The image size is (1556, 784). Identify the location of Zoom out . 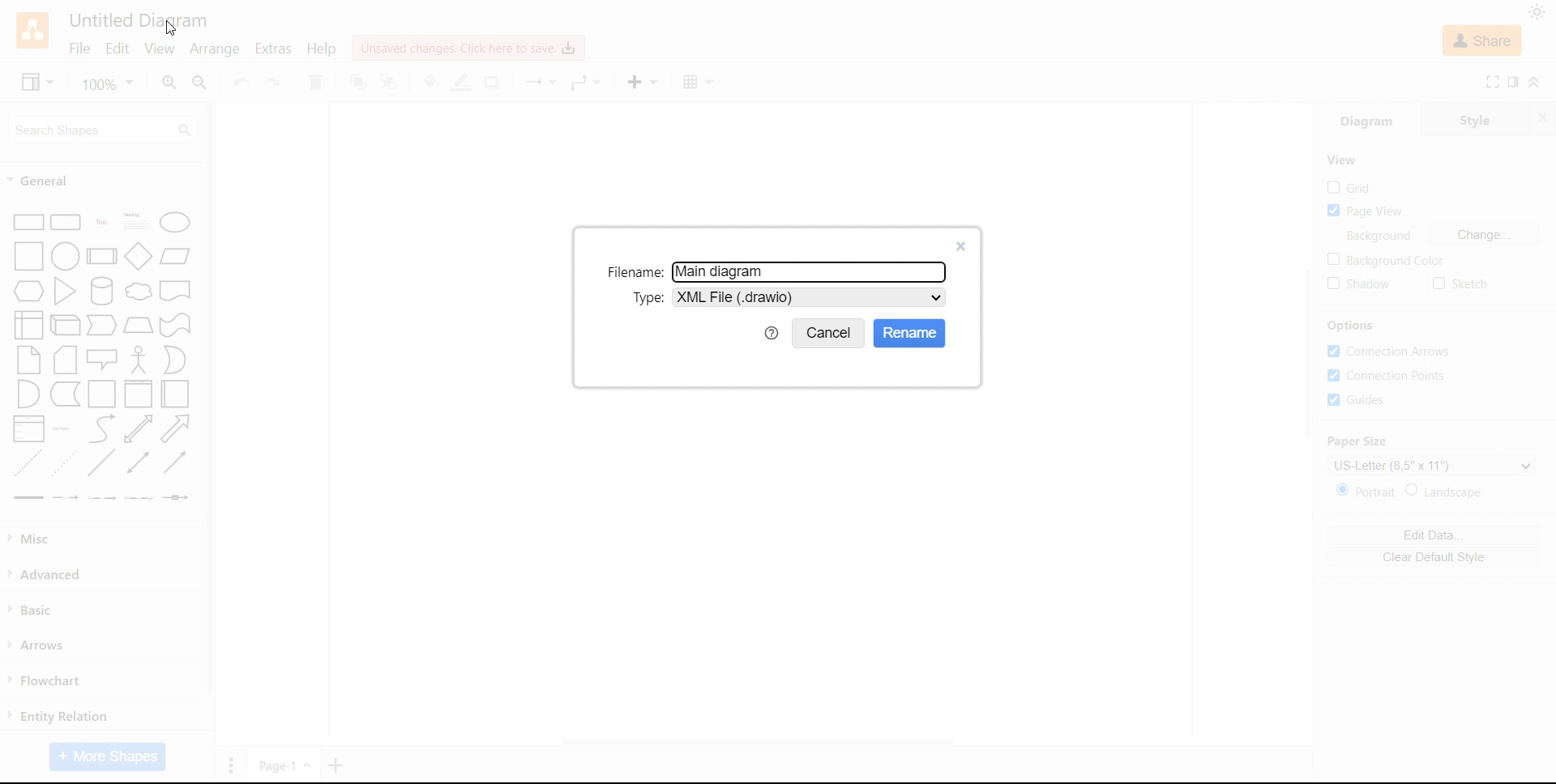
(201, 83).